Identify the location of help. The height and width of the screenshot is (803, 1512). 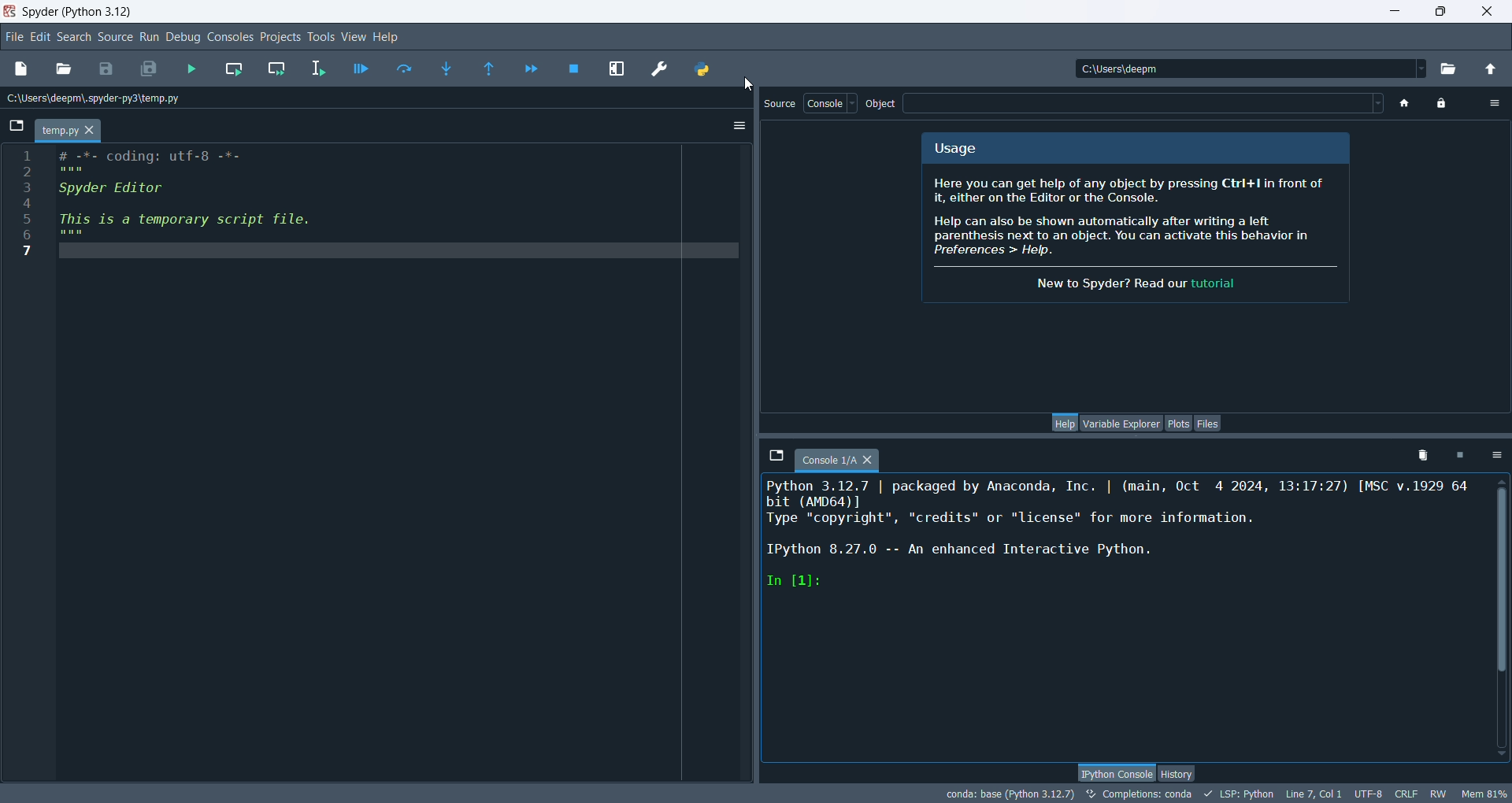
(388, 37).